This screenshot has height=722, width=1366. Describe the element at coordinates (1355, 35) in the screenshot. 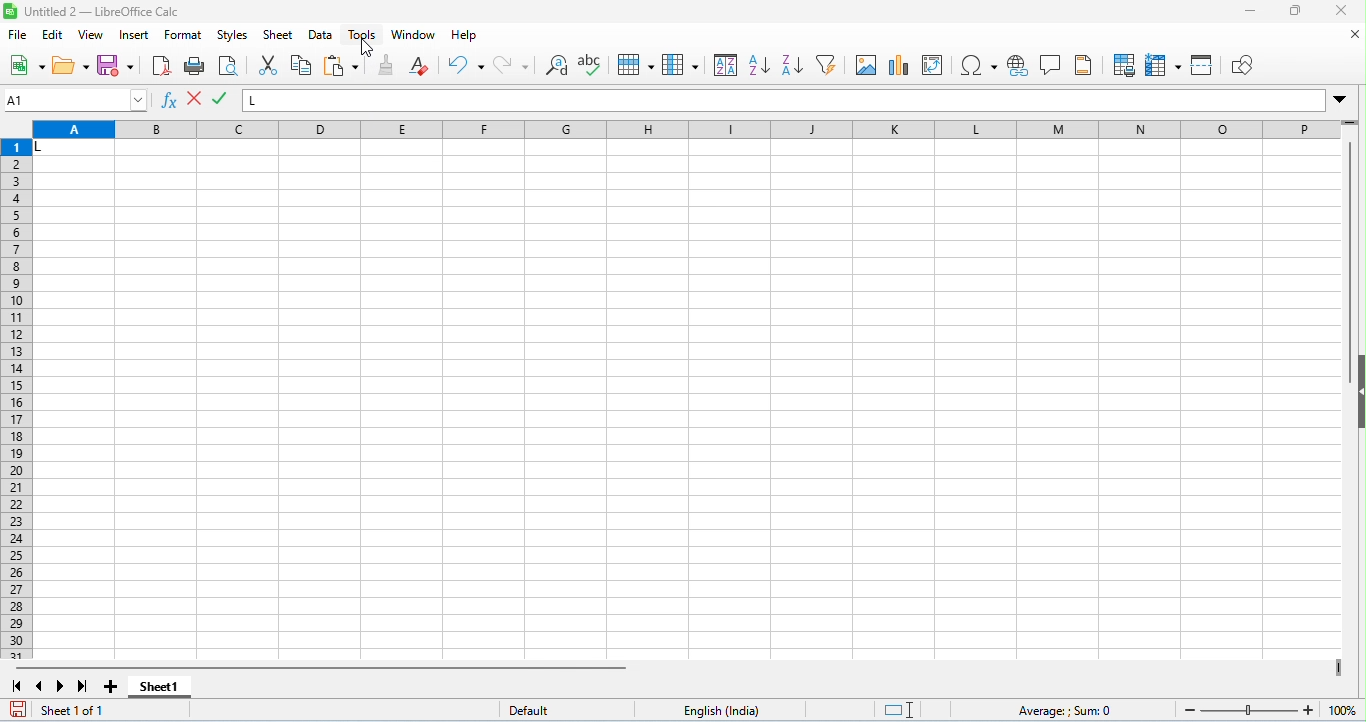

I see `close` at that location.